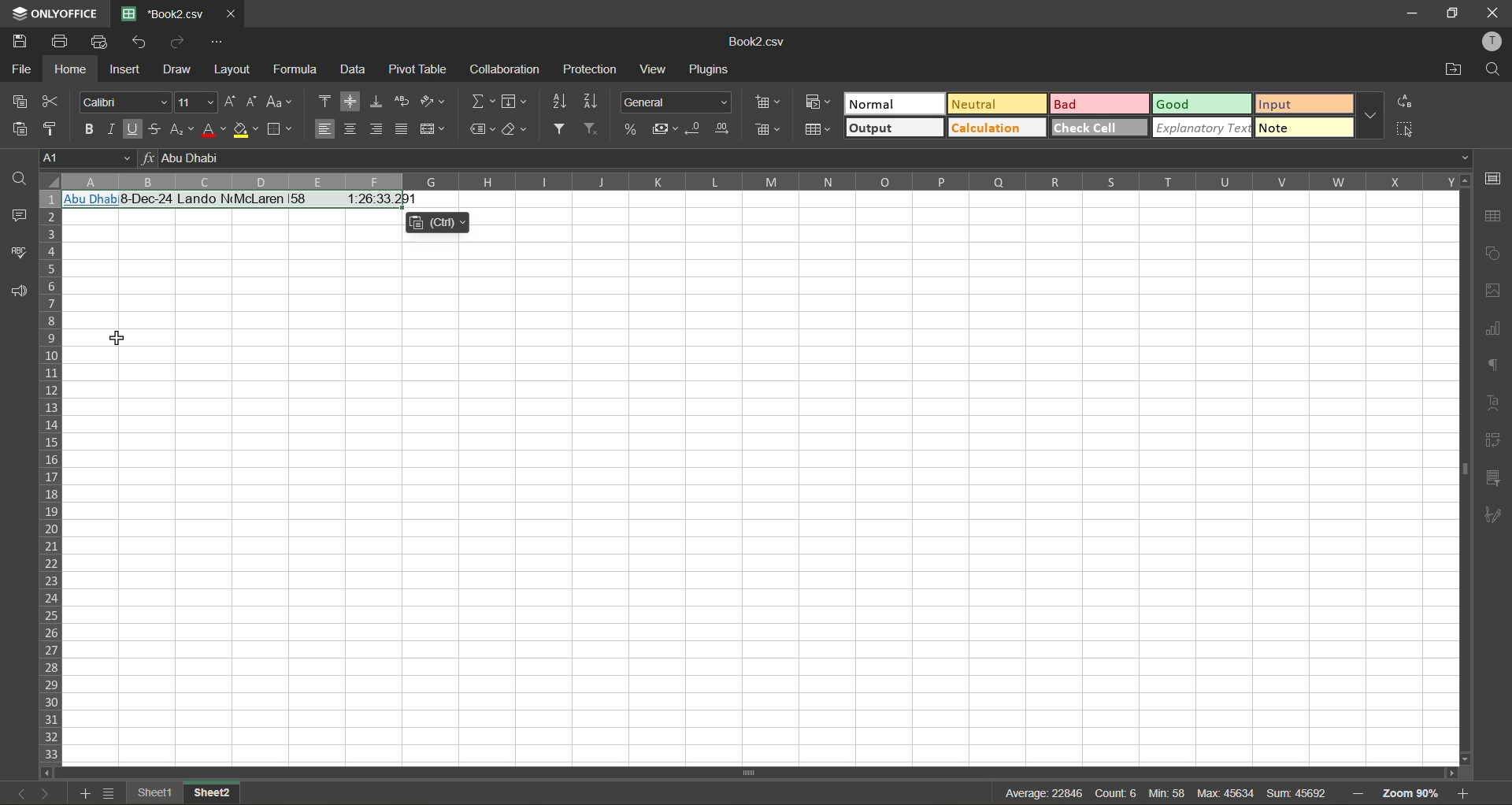  Describe the element at coordinates (402, 101) in the screenshot. I see `wrap text` at that location.